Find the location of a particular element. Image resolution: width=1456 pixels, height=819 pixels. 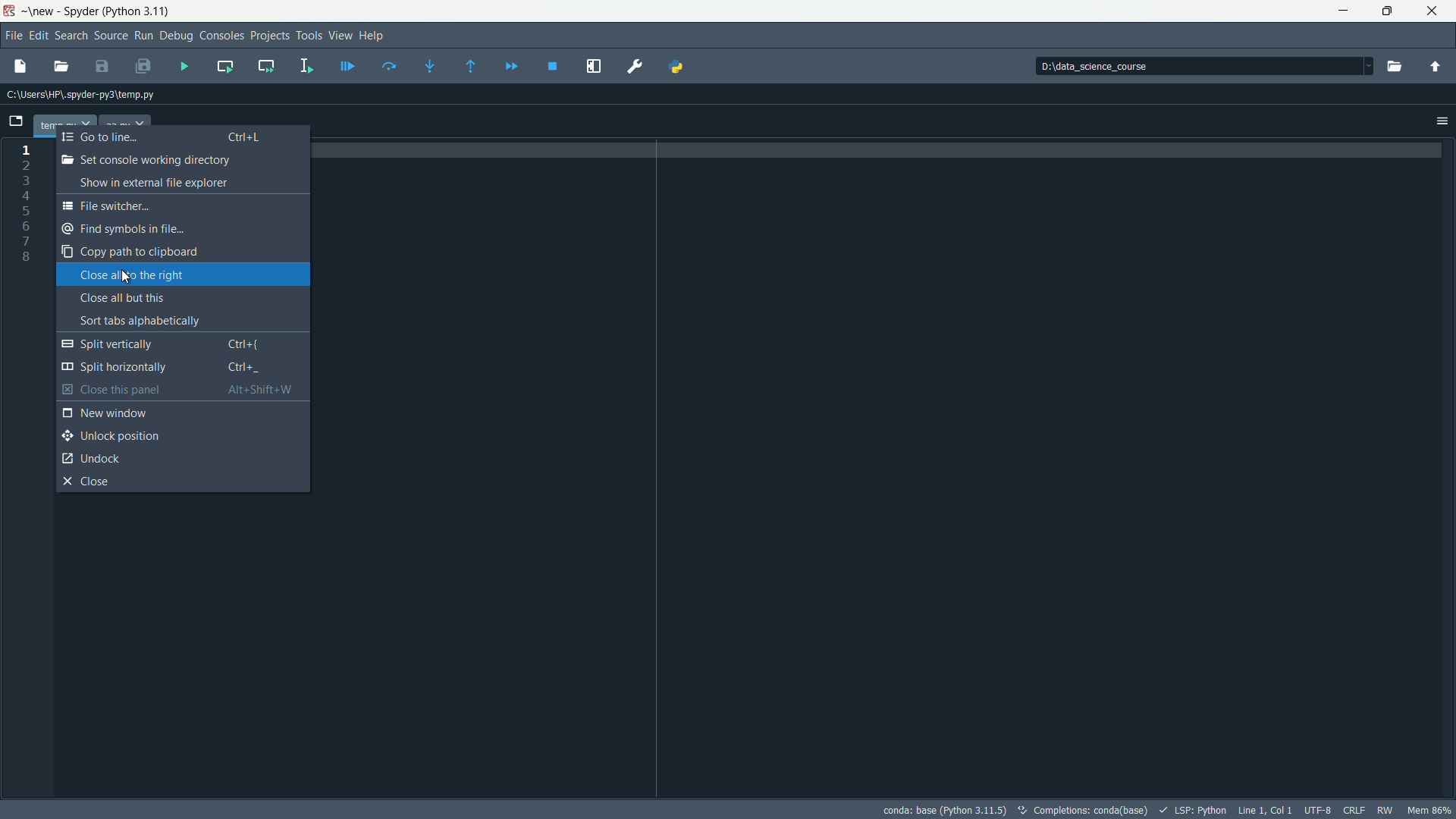

execute until method or funtion return is located at coordinates (472, 67).